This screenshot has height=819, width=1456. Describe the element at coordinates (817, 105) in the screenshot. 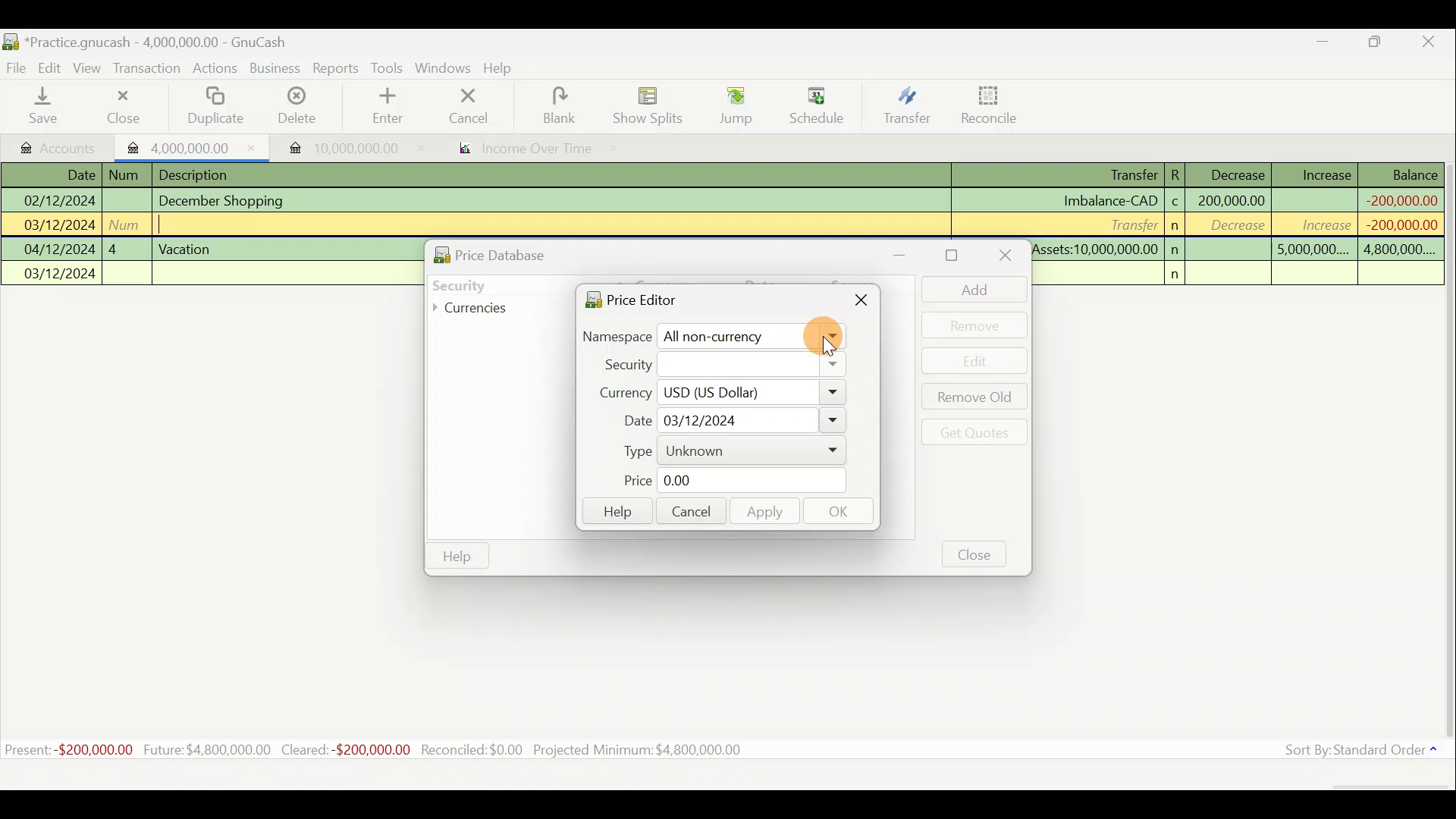

I see `Schedule` at that location.